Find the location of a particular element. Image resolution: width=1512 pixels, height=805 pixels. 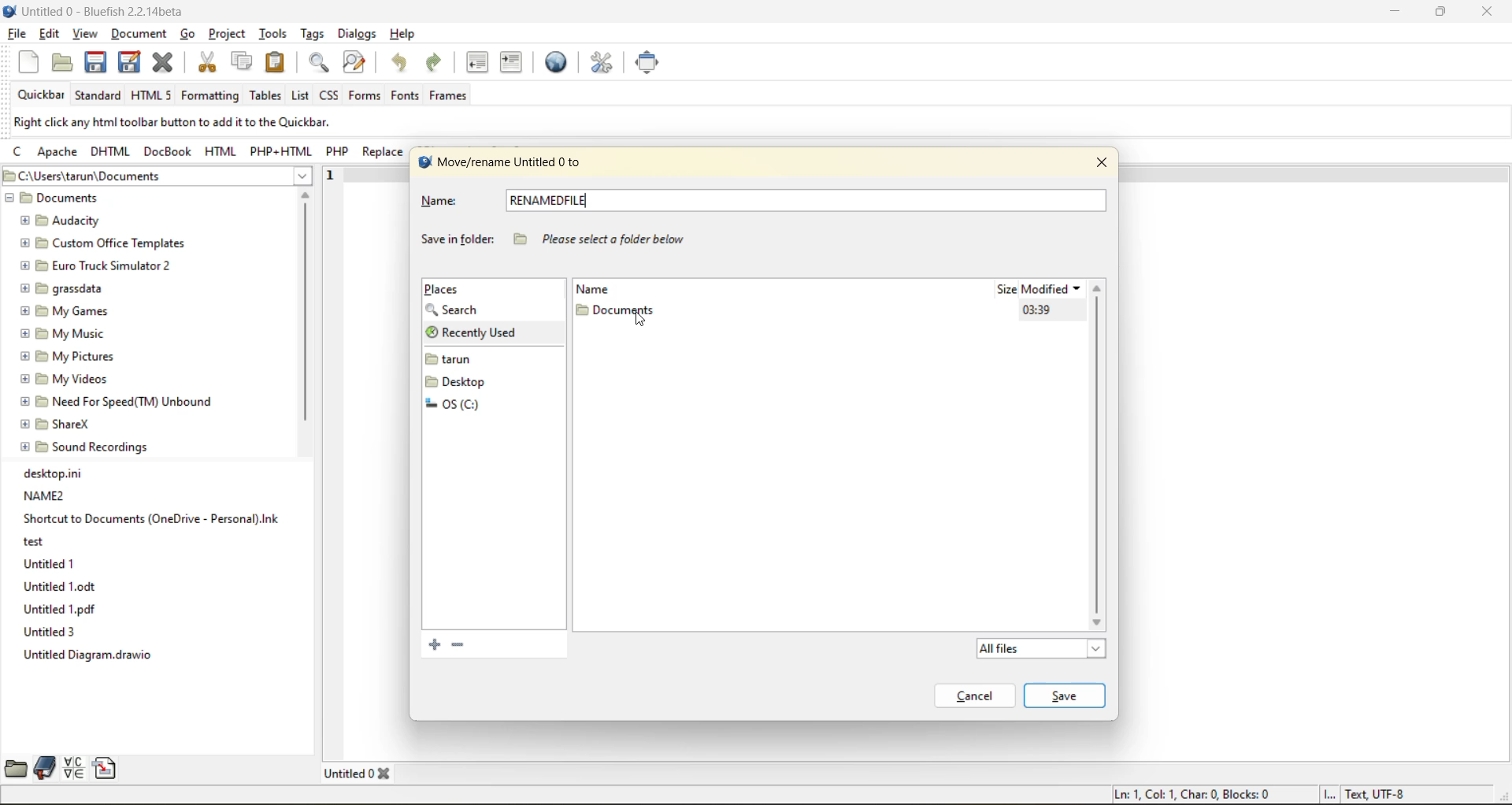

edit is located at coordinates (52, 34).